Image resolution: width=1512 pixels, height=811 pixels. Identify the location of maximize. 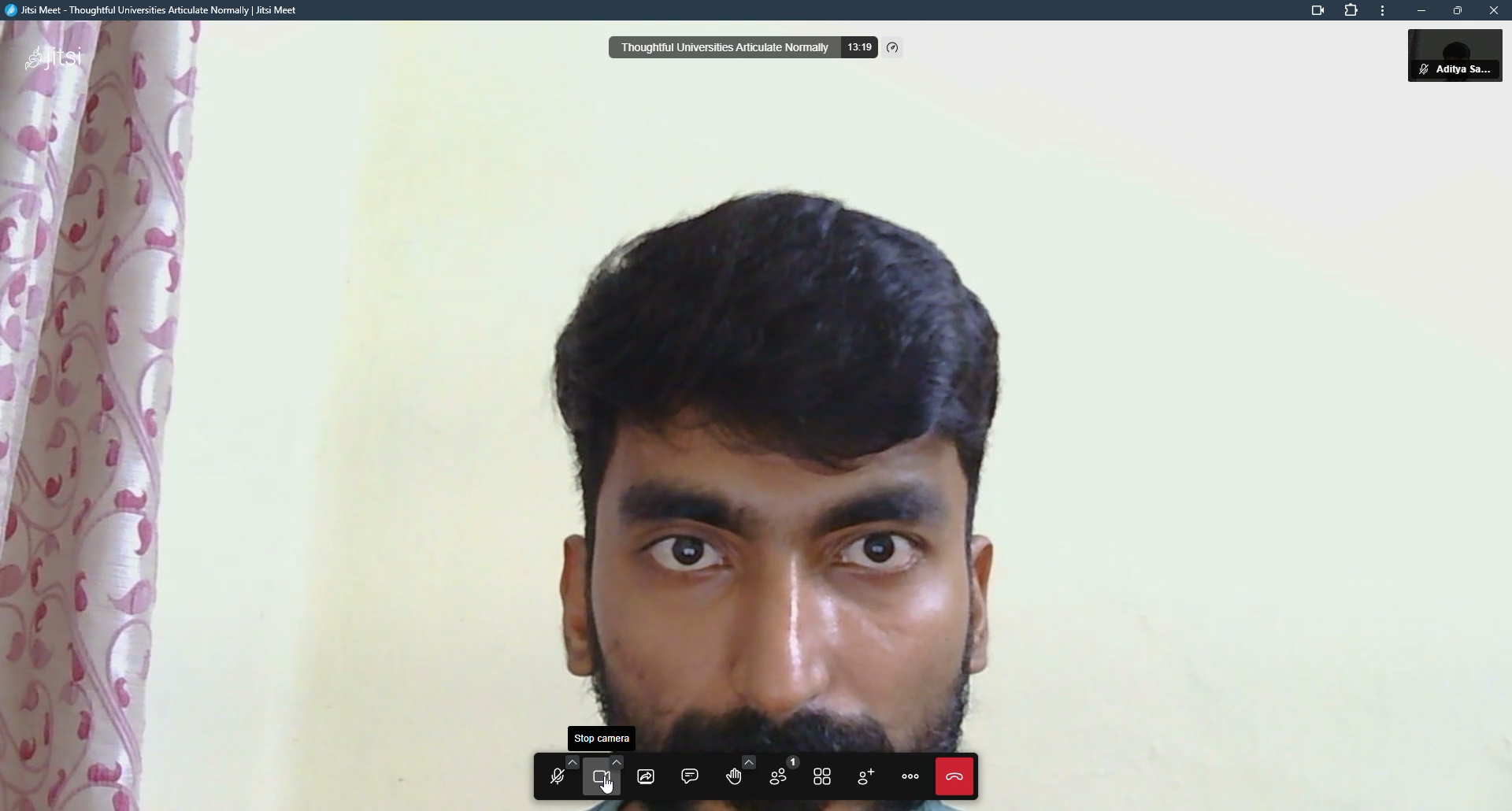
(1457, 10).